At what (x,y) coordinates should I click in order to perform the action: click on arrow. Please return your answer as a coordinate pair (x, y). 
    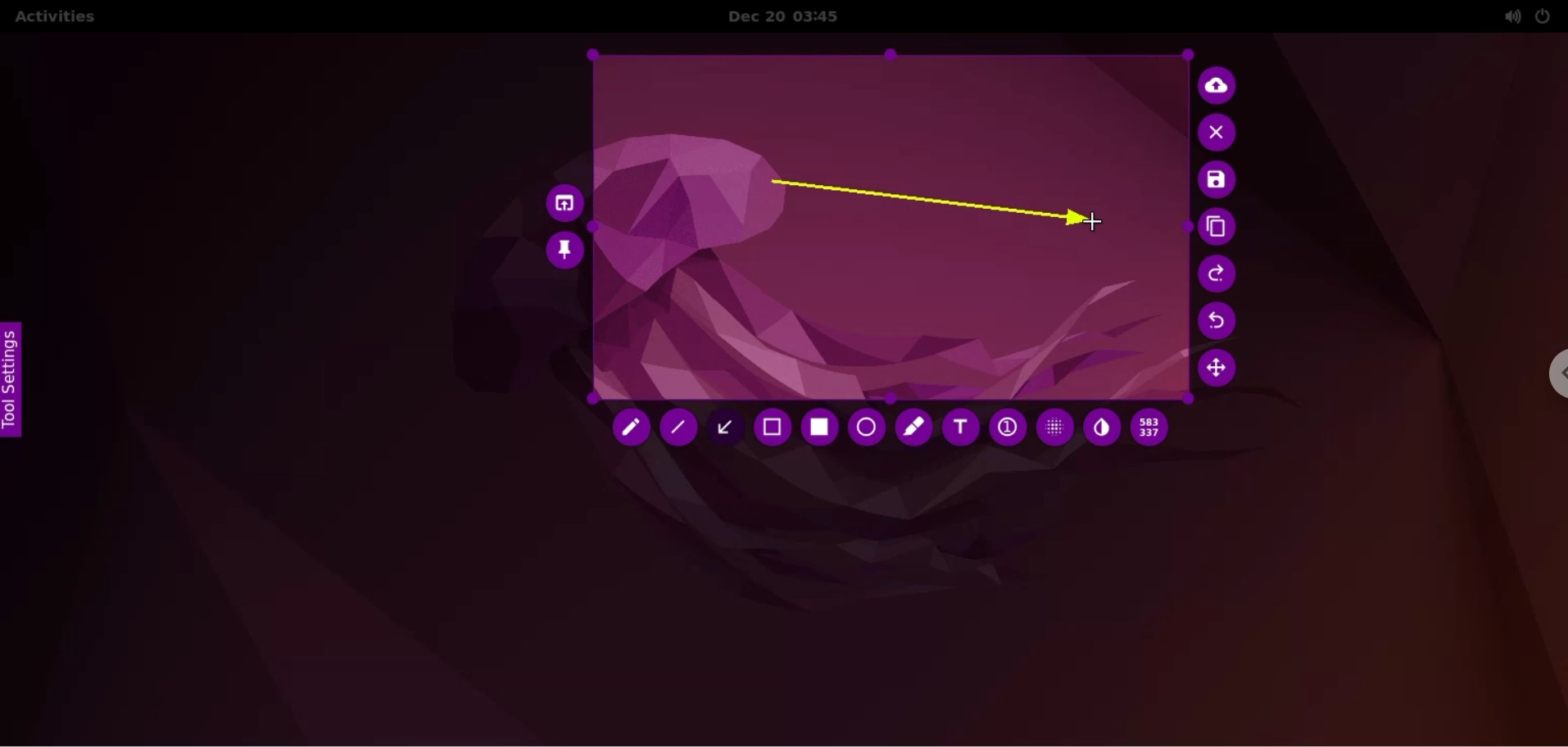
    Looking at the image, I should click on (920, 204).